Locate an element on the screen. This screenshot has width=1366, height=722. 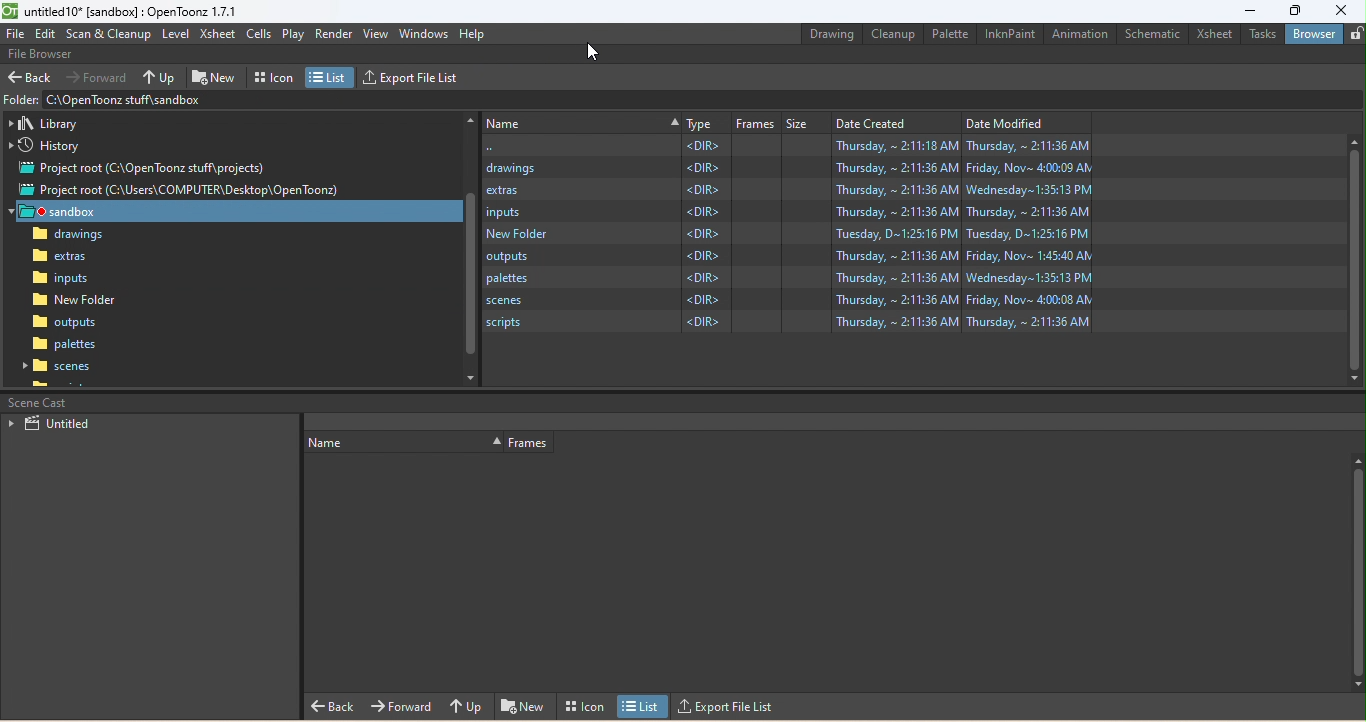
C:\Users\COMPUTER is located at coordinates (785, 146).